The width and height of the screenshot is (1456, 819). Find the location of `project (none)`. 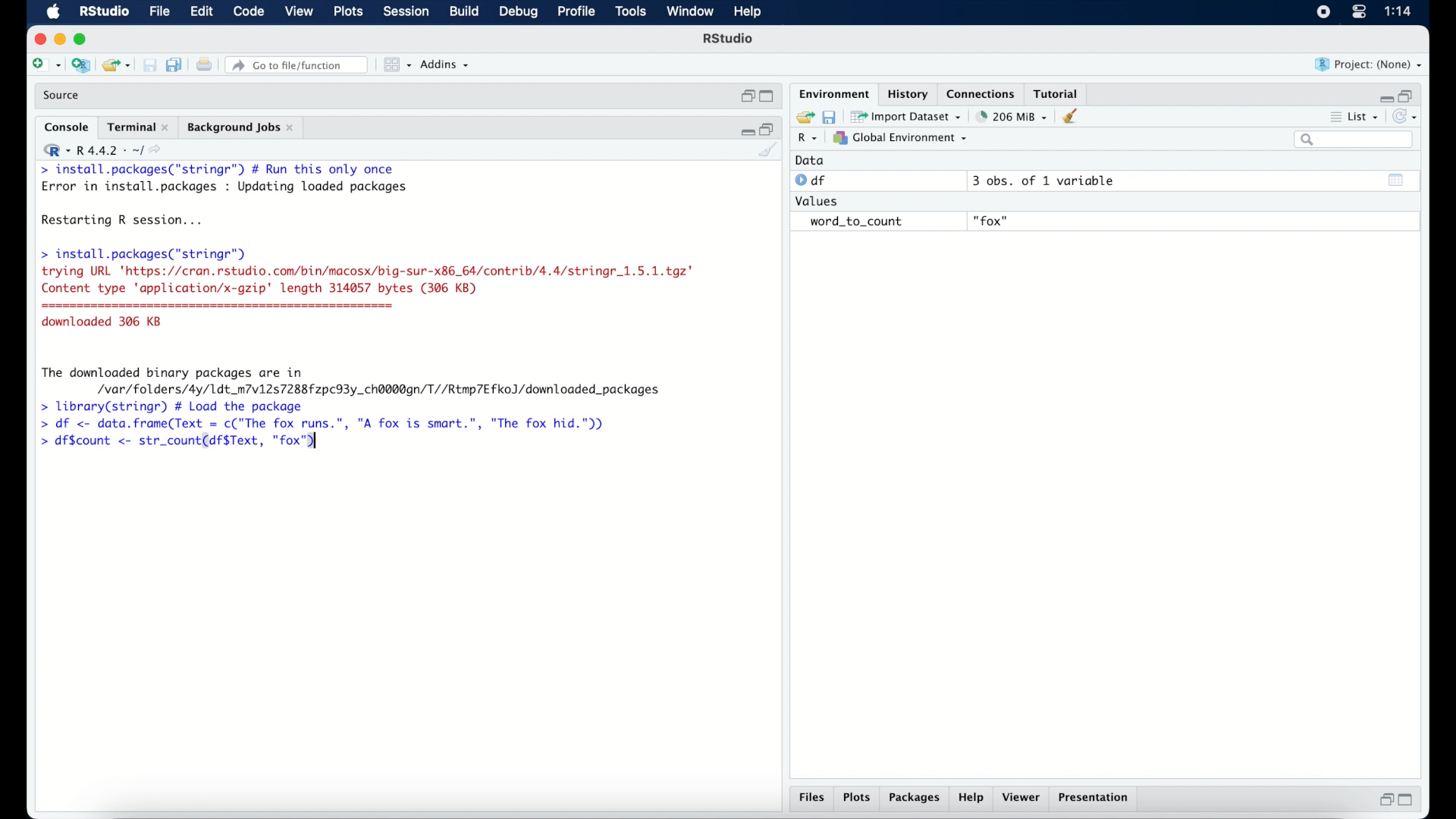

project (none) is located at coordinates (1369, 64).